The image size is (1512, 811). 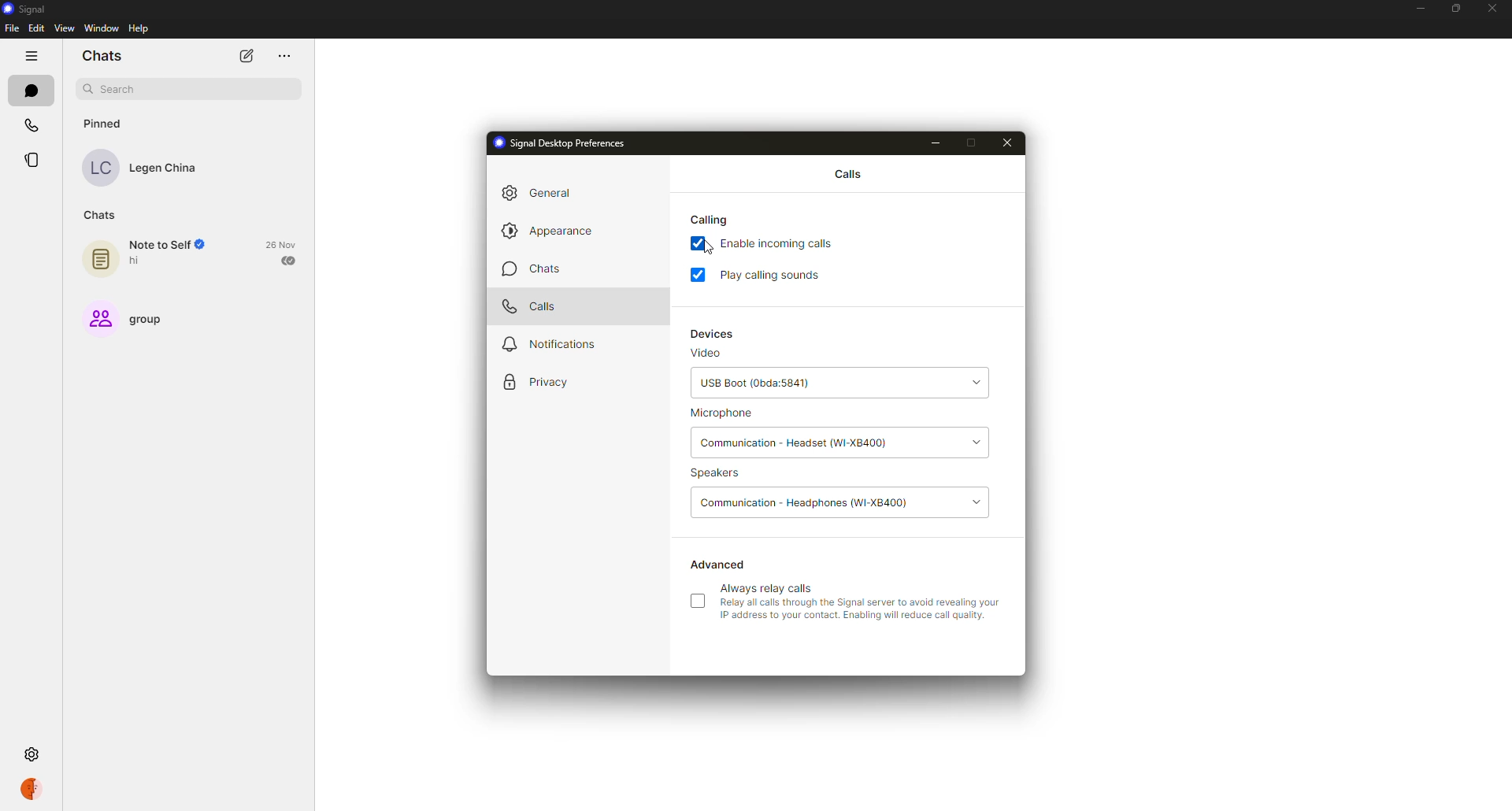 What do you see at coordinates (145, 257) in the screenshot?
I see `note to self` at bounding box center [145, 257].